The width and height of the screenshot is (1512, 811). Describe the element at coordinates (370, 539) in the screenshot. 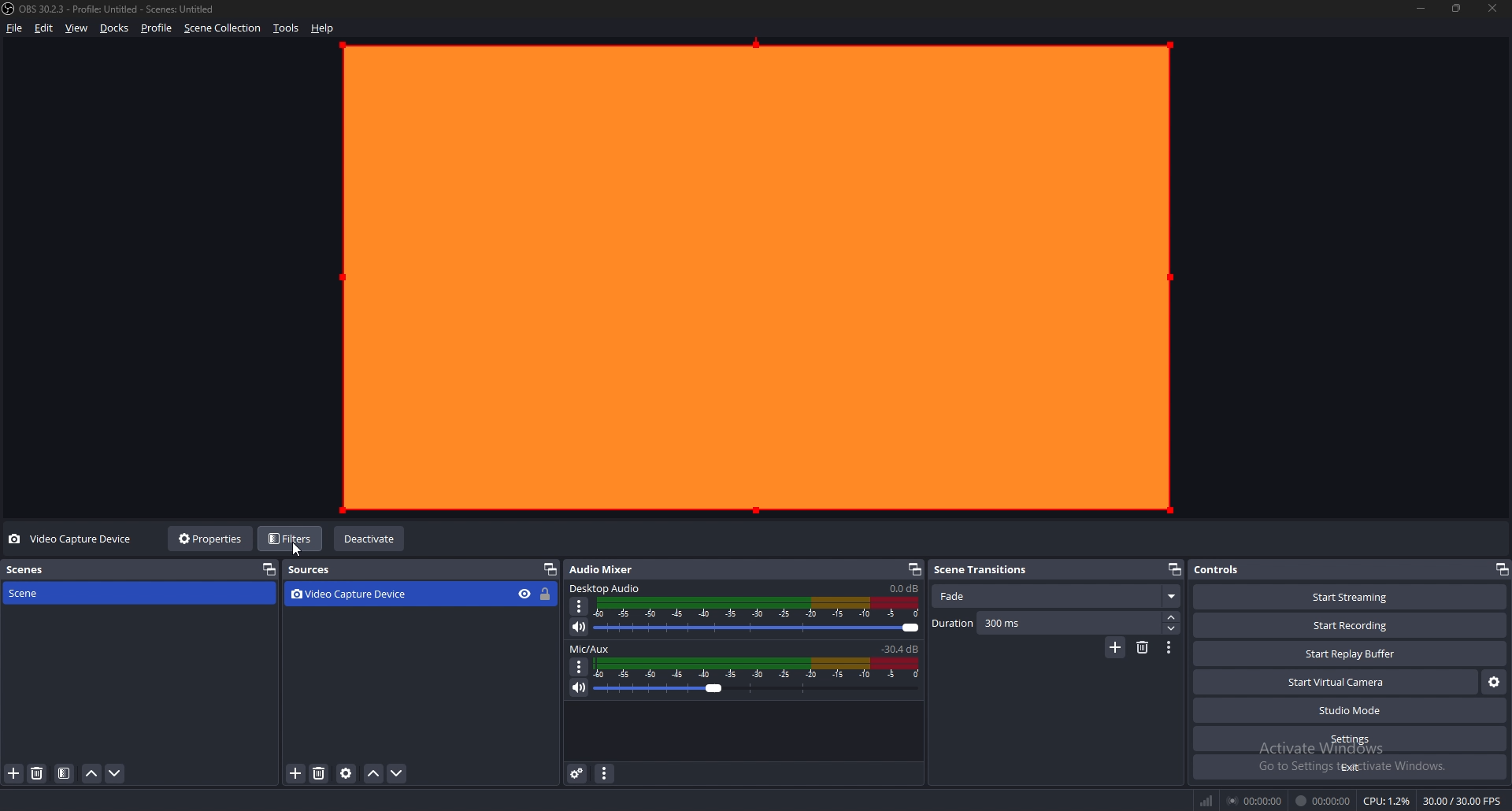

I see `deactivate` at that location.